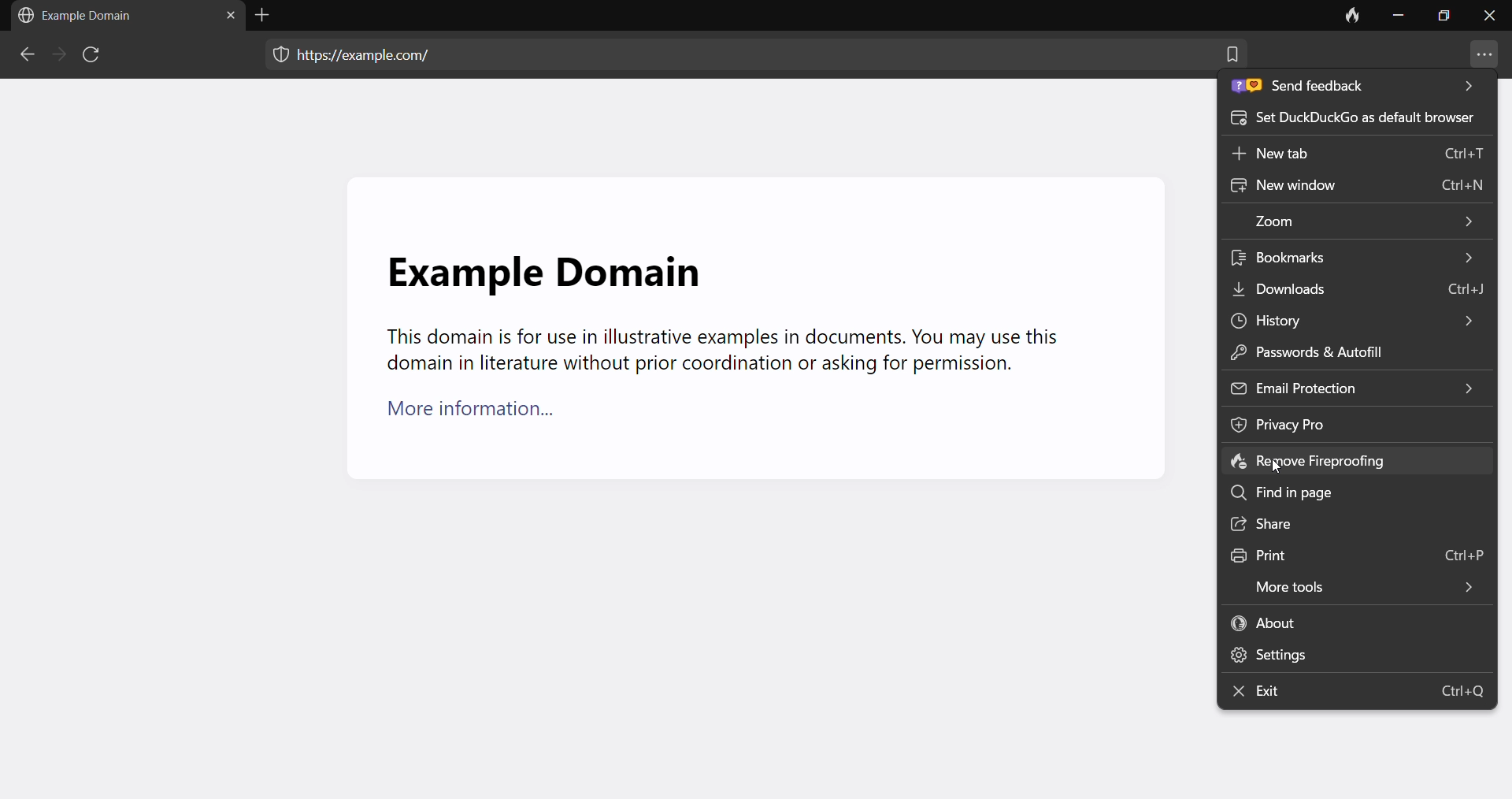  Describe the element at coordinates (1397, 18) in the screenshot. I see `minimize` at that location.